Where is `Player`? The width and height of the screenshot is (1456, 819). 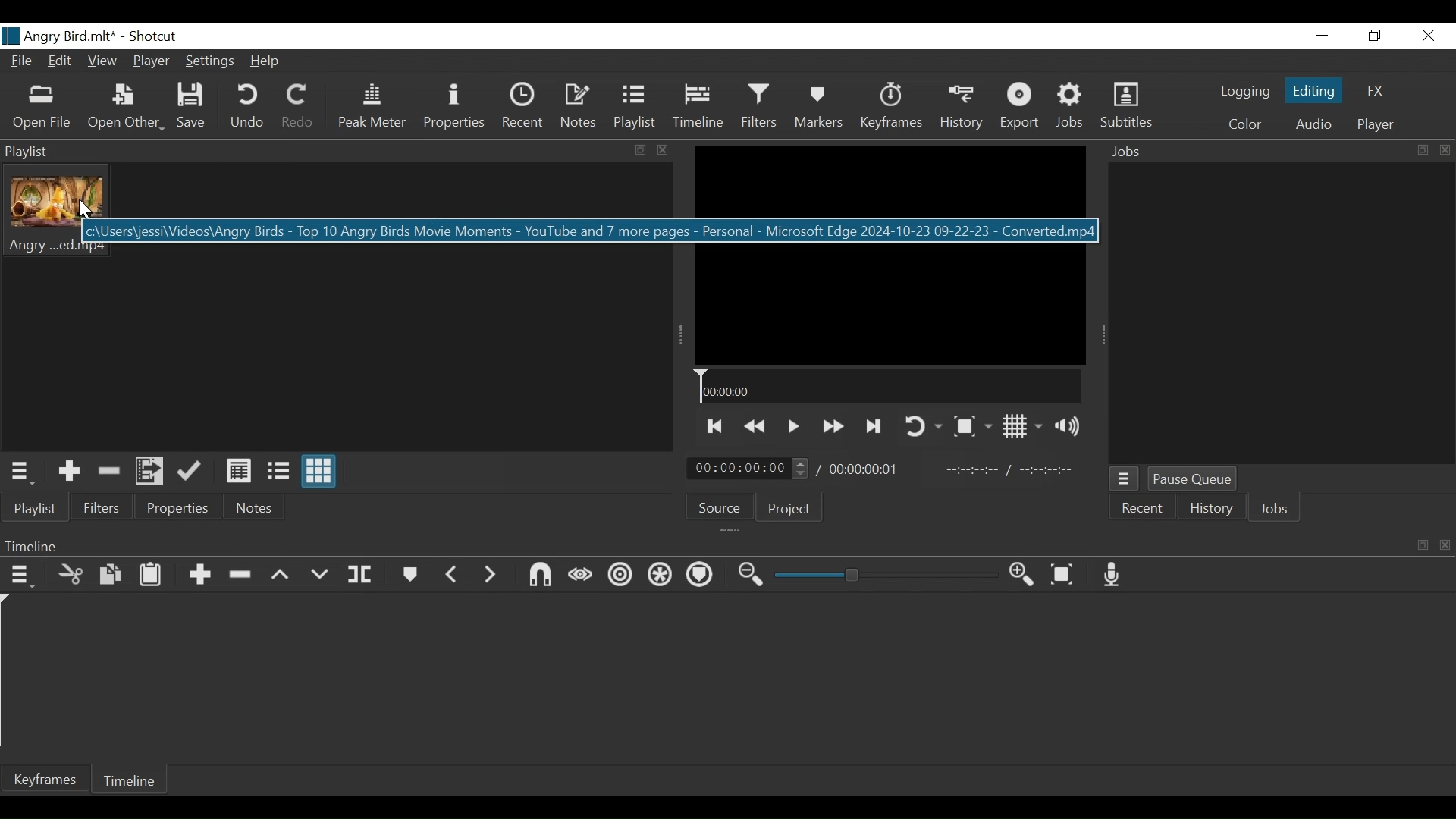 Player is located at coordinates (151, 61).